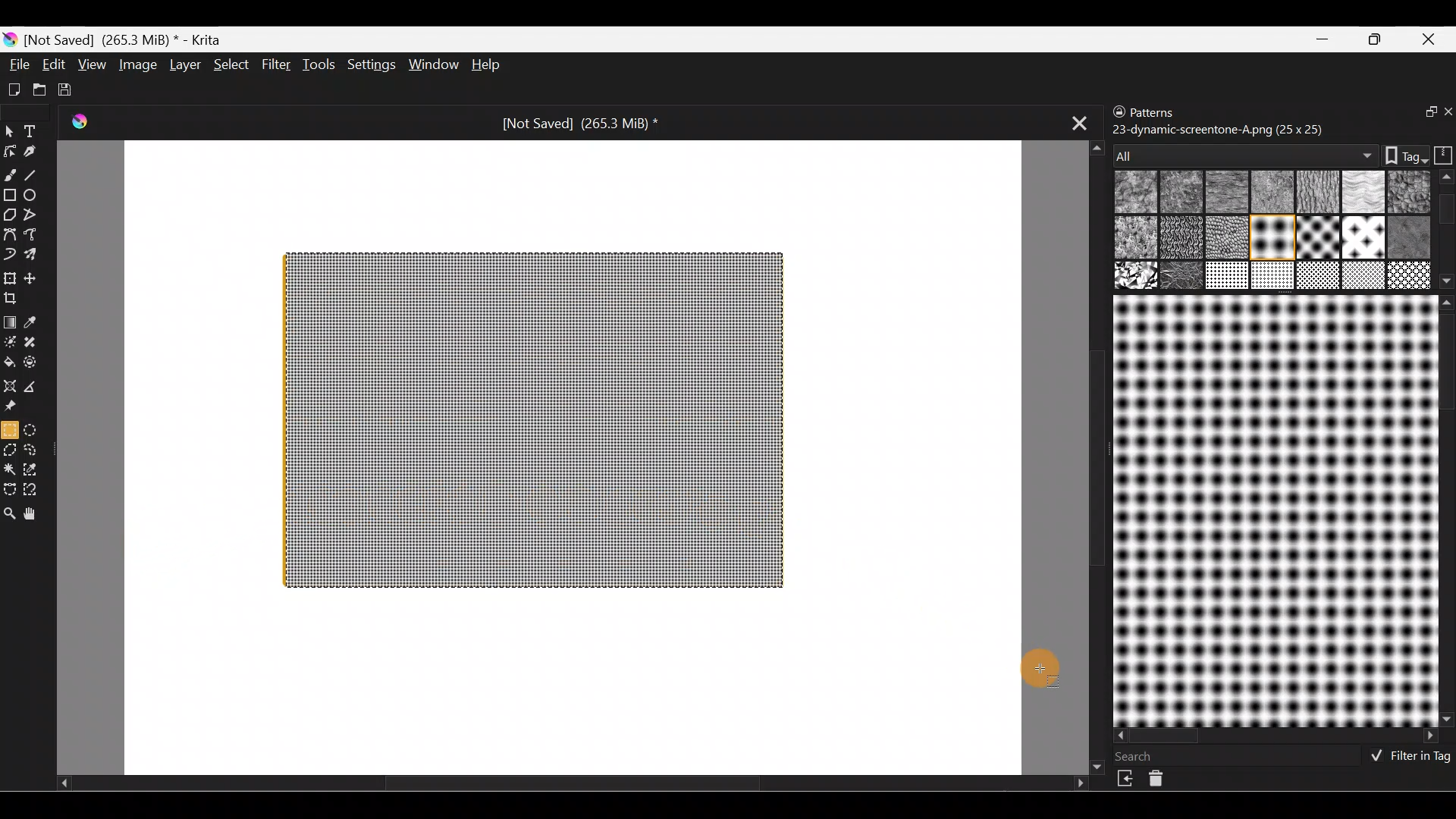 The width and height of the screenshot is (1456, 819). I want to click on Help, so click(488, 64).